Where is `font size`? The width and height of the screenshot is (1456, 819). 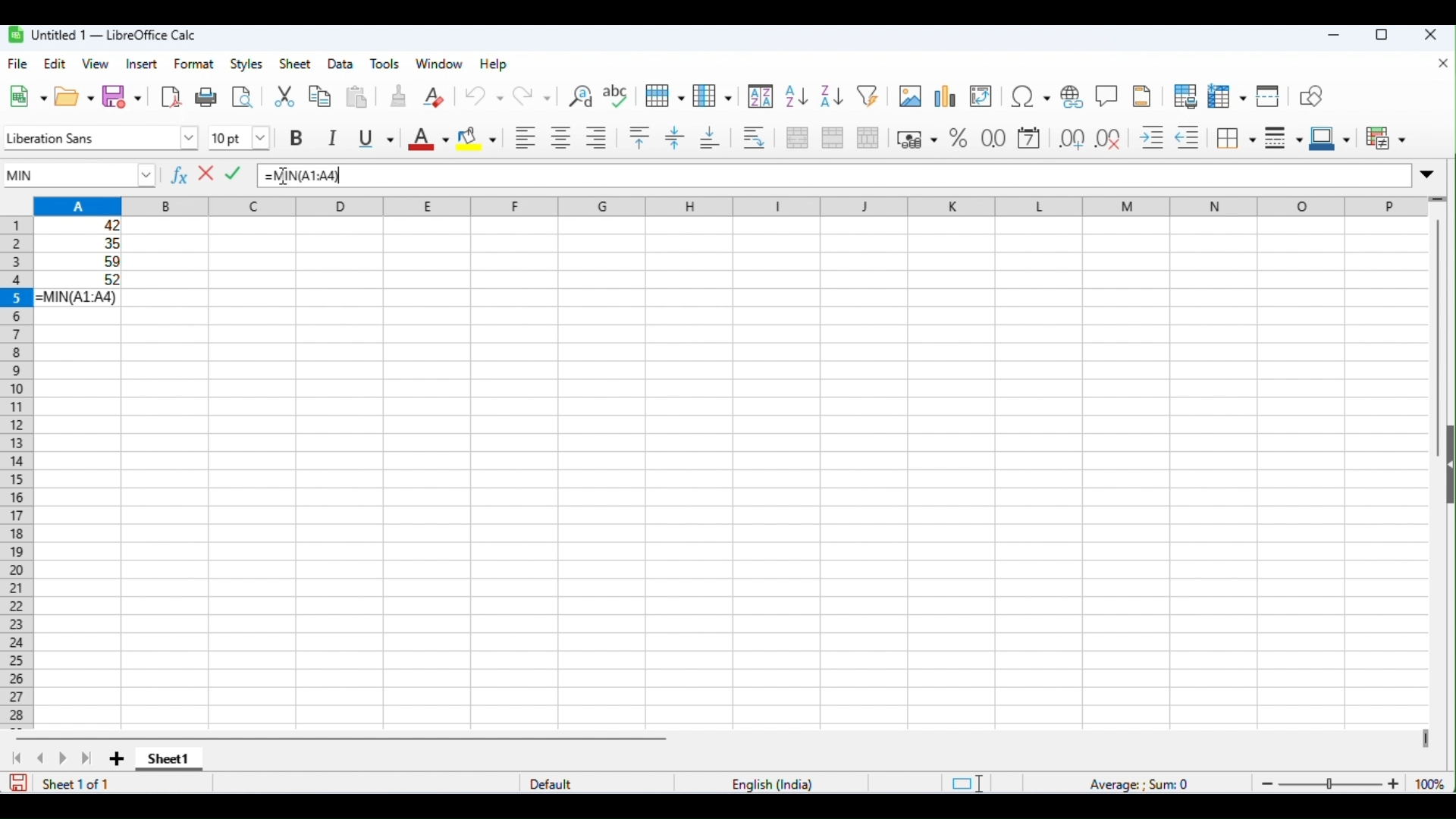 font size is located at coordinates (240, 137).